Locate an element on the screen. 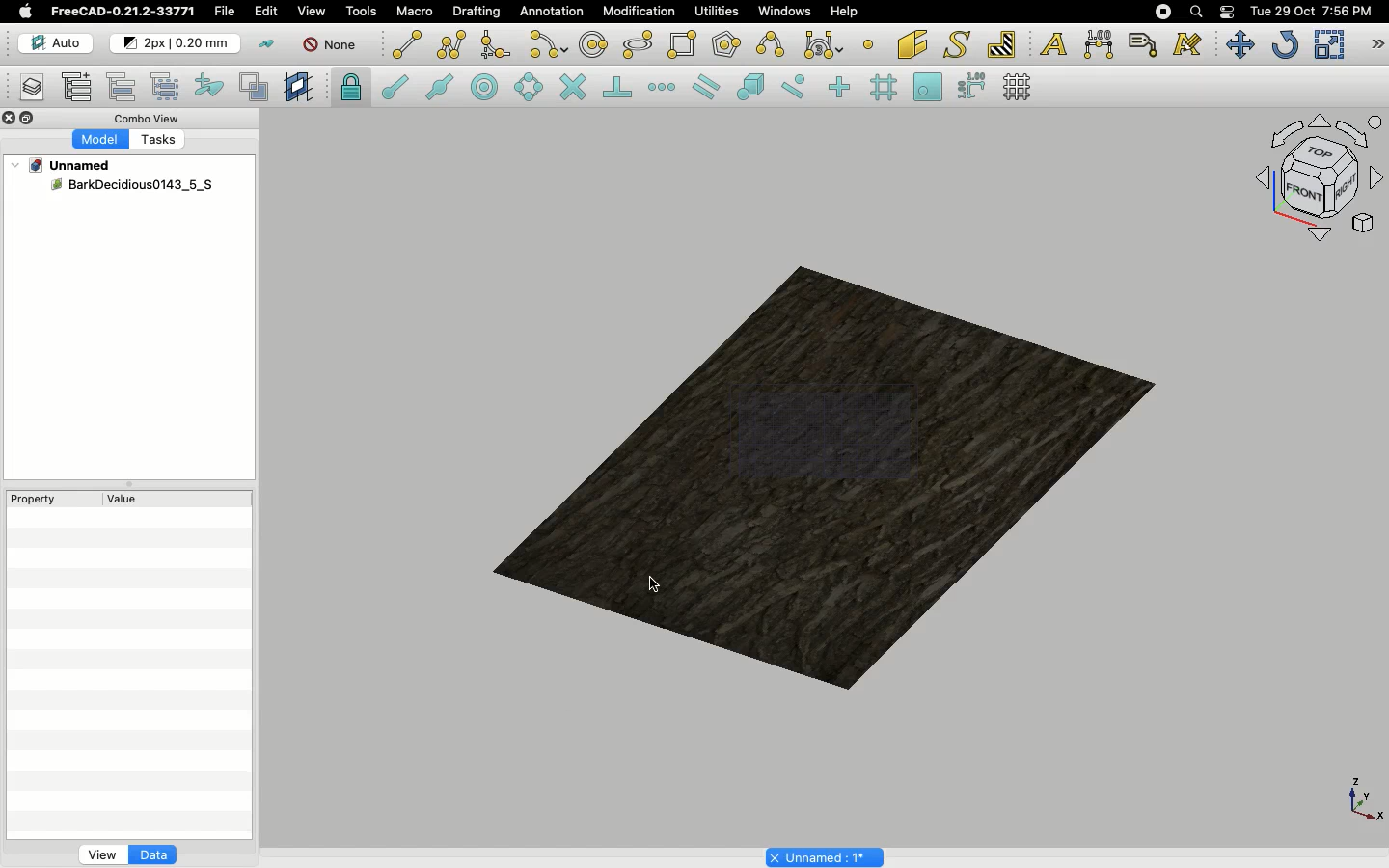  Drop down is located at coordinates (16, 165).